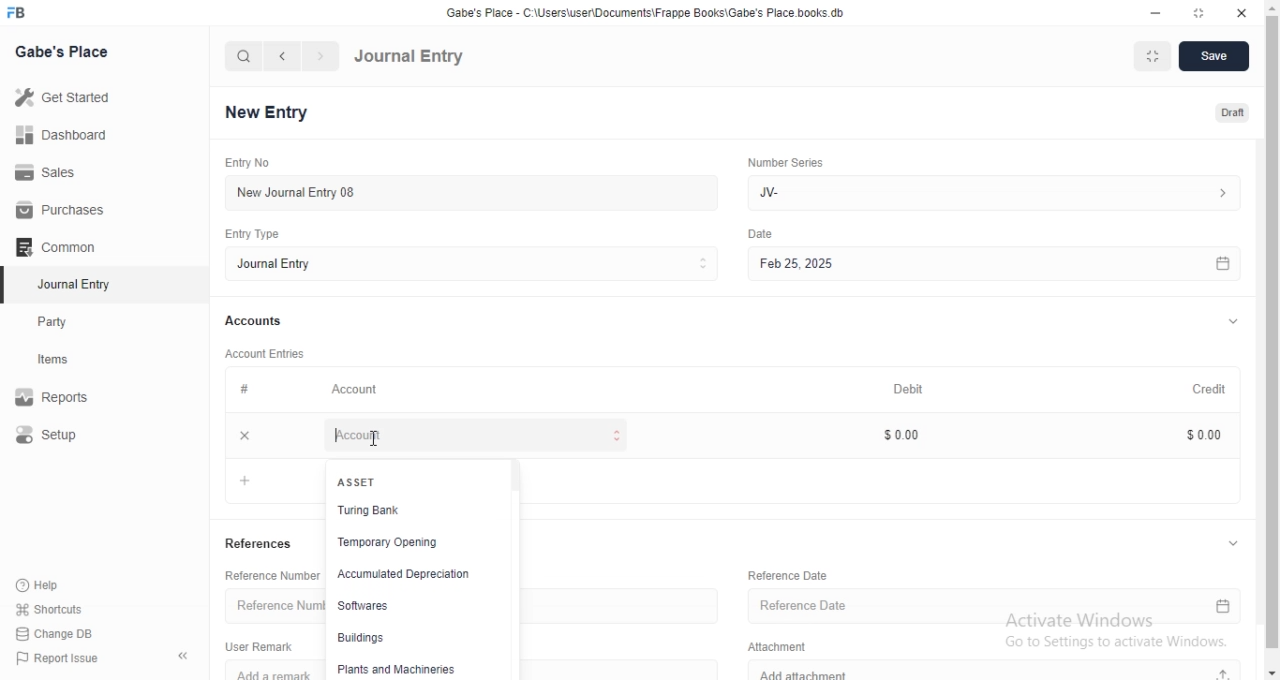 This screenshot has height=680, width=1280. What do you see at coordinates (67, 658) in the screenshot?
I see `Report Issue` at bounding box center [67, 658].